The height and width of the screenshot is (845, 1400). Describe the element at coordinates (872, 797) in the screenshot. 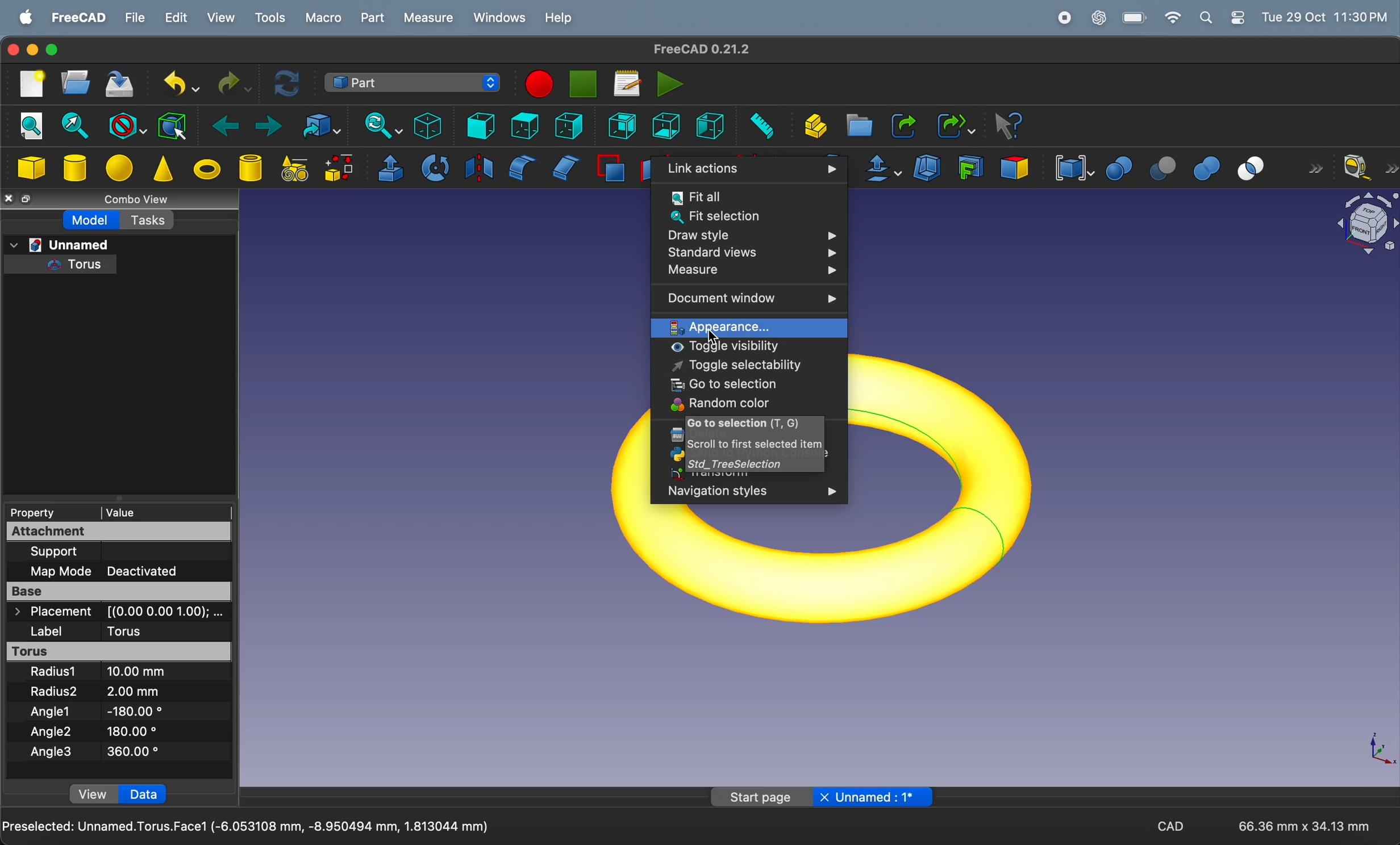

I see `Unnamed: 1` at that location.